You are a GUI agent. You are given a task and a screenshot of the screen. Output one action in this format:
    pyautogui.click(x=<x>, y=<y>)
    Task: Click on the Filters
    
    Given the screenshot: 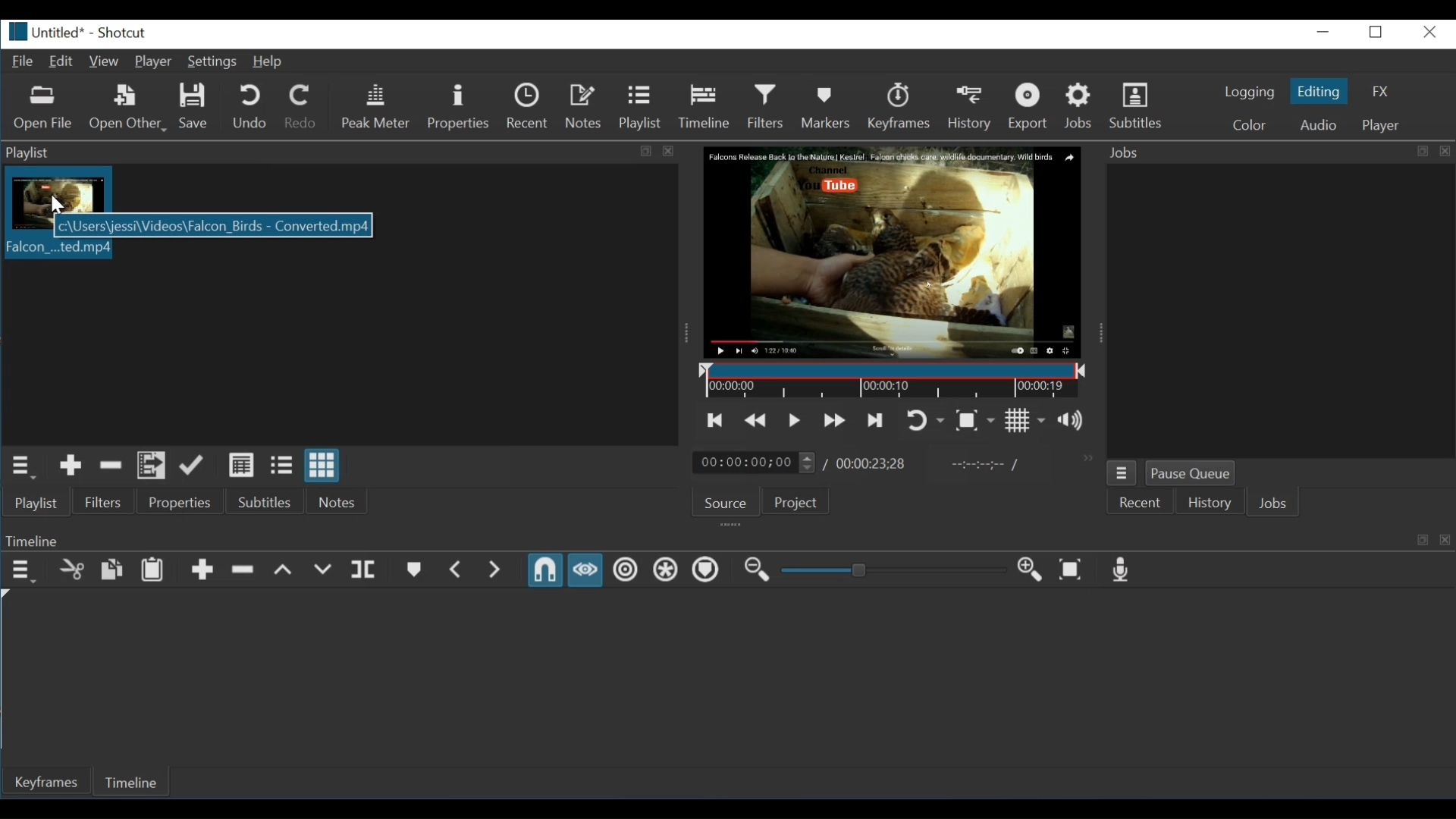 What is the action you would take?
    pyautogui.click(x=766, y=106)
    